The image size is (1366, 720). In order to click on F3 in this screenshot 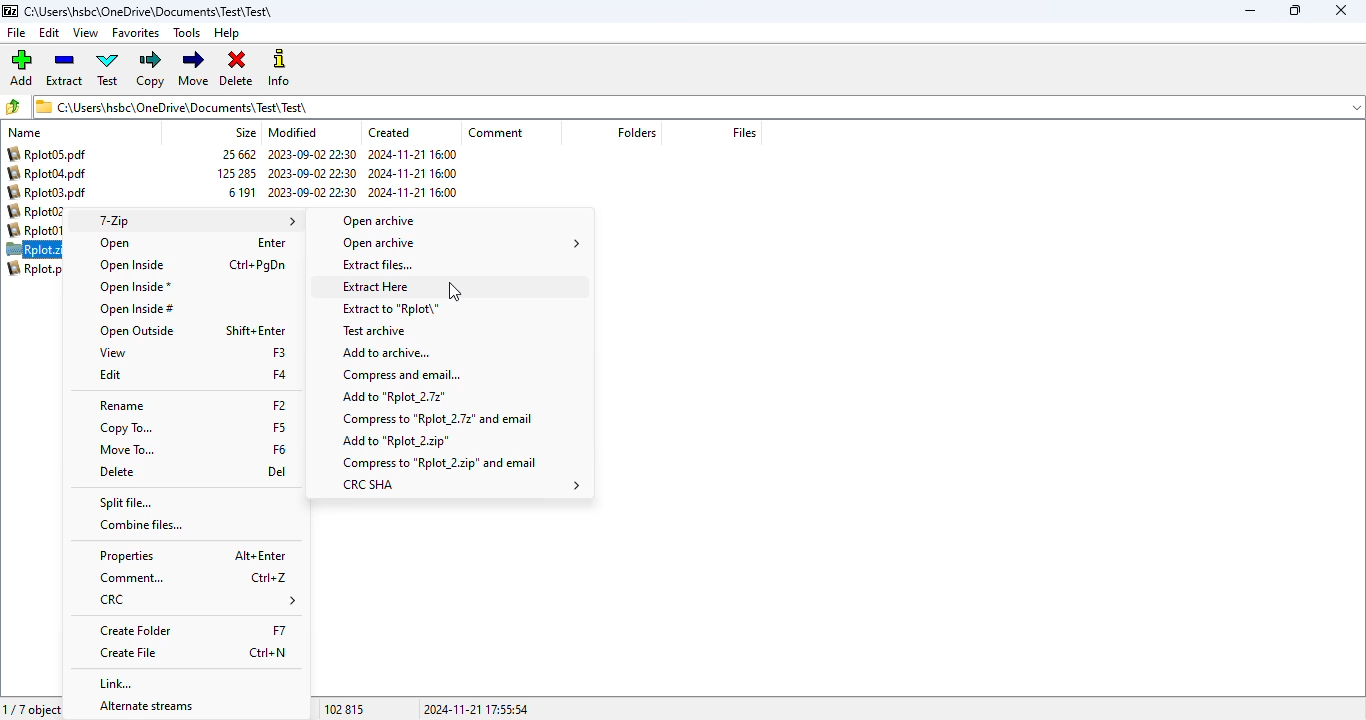, I will do `click(279, 351)`.